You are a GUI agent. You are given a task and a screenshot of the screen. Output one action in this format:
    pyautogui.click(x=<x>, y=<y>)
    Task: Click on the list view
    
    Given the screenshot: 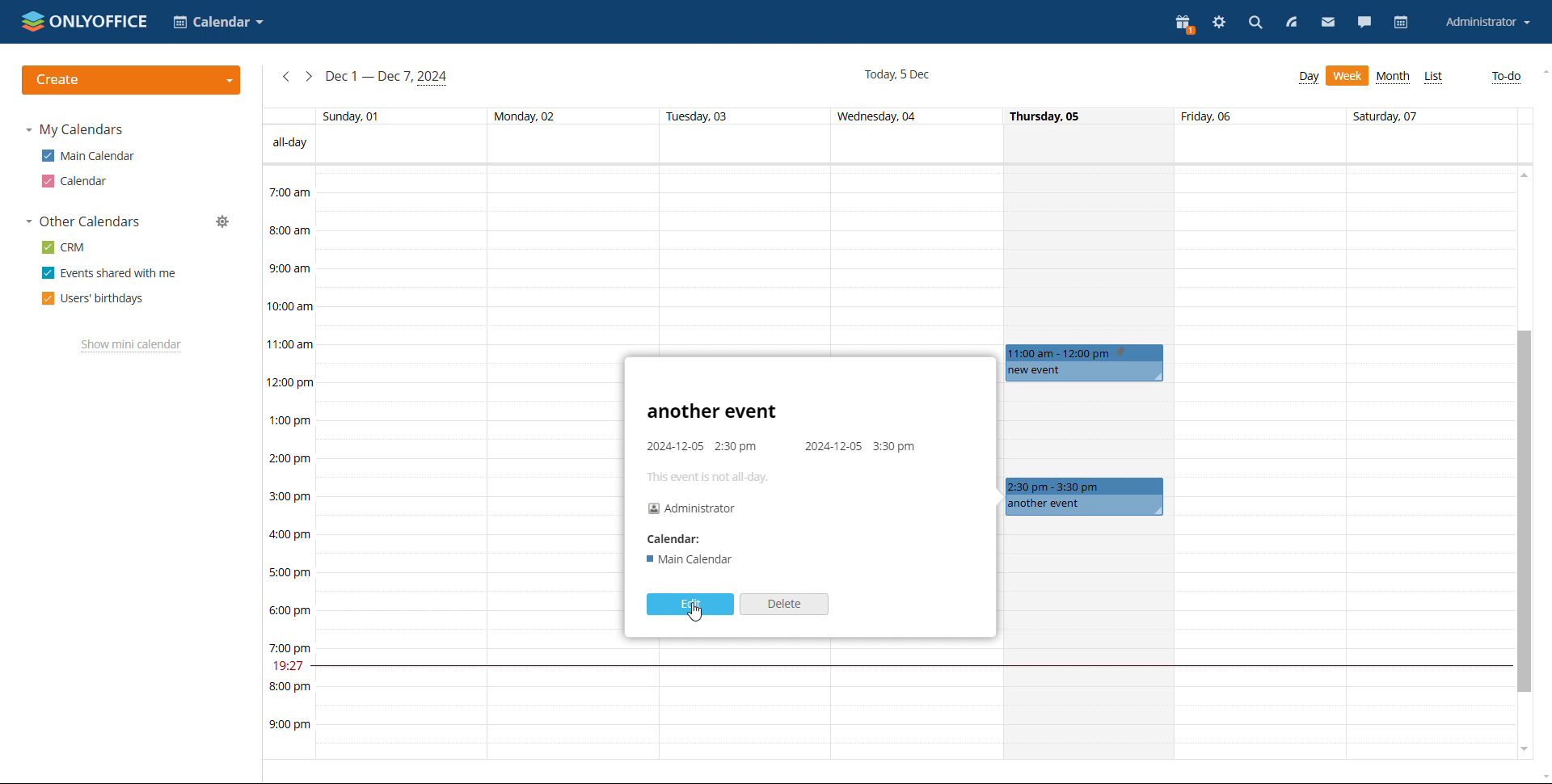 What is the action you would take?
    pyautogui.click(x=1434, y=78)
    